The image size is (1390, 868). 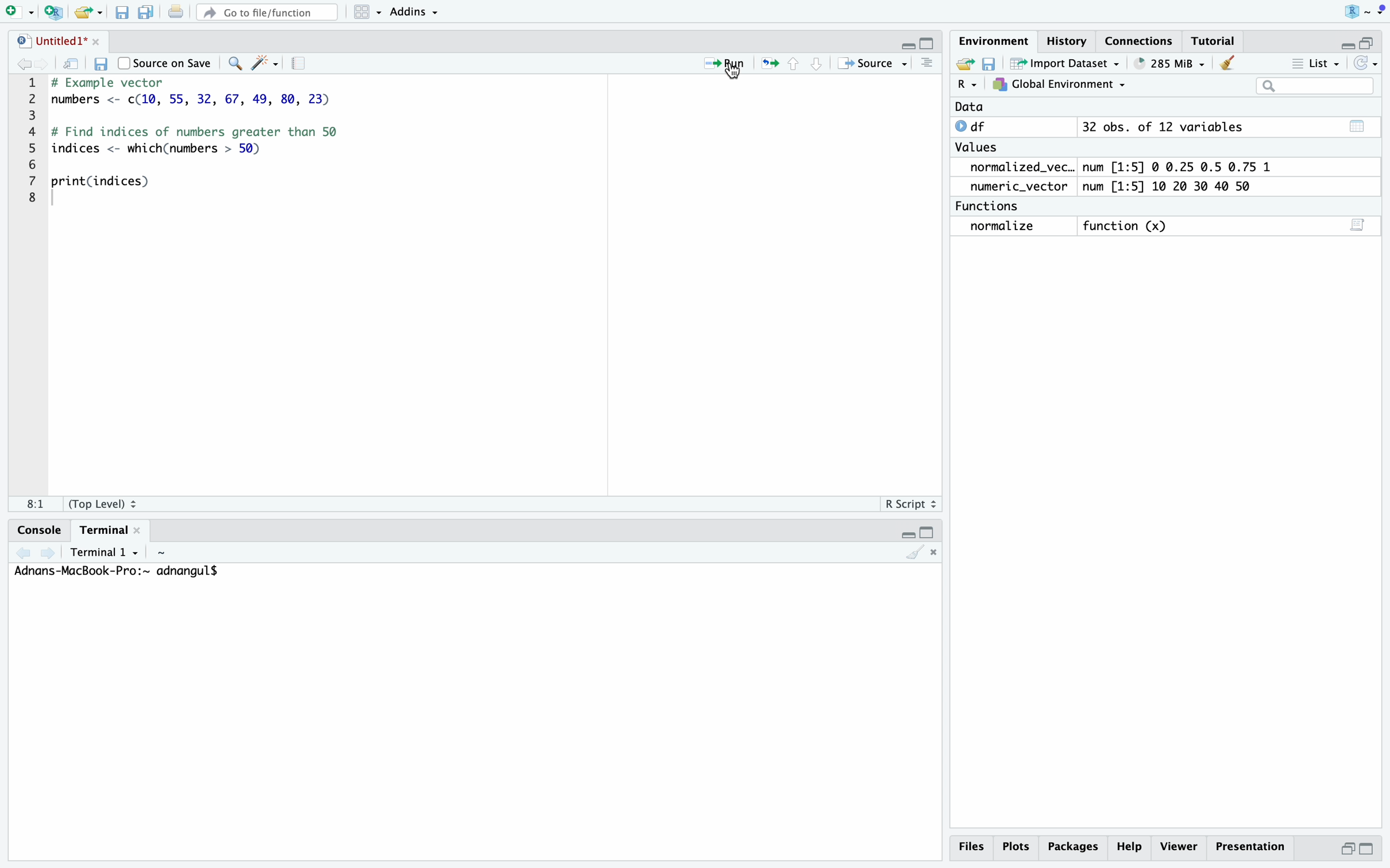 I want to click on publish, so click(x=771, y=64).